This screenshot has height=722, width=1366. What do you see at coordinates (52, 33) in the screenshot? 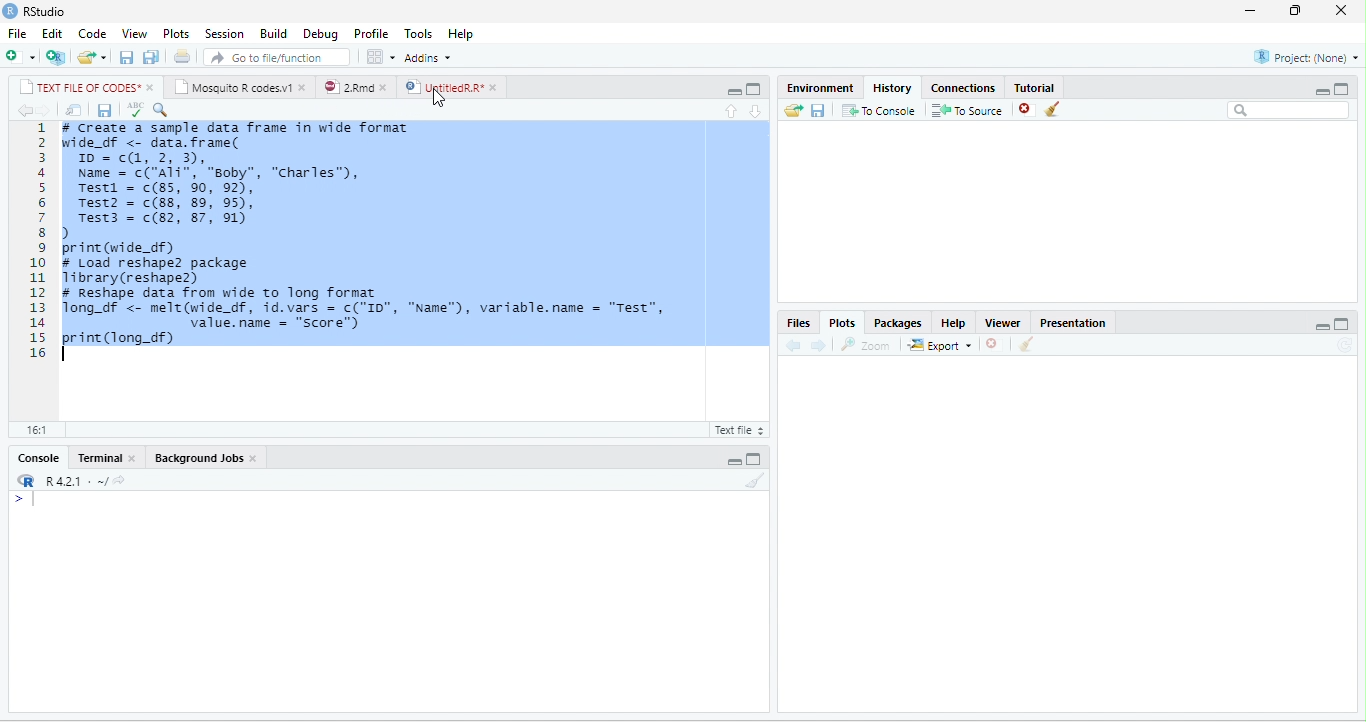
I see `Edit` at bounding box center [52, 33].